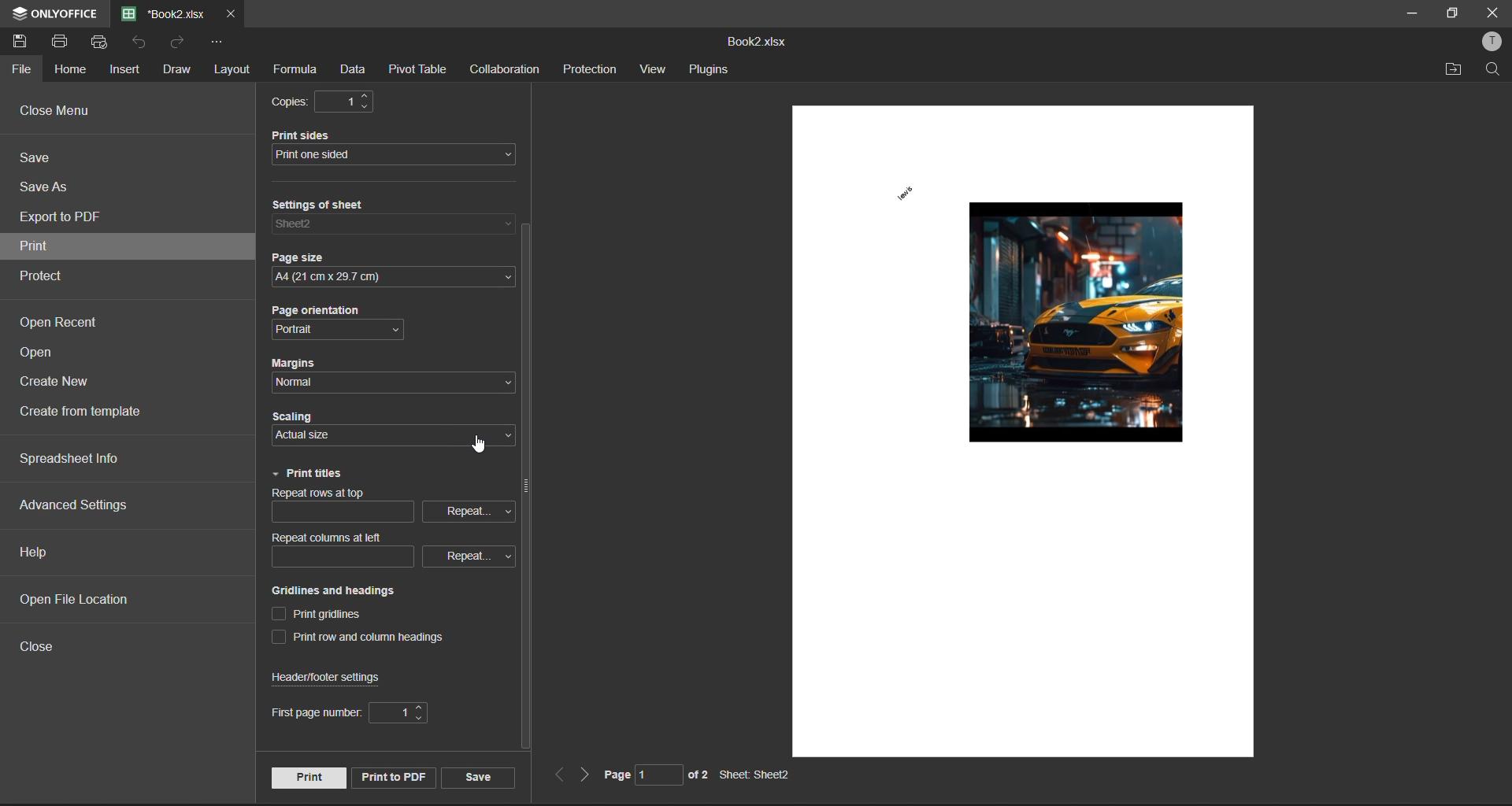  I want to click on open file location, so click(86, 601).